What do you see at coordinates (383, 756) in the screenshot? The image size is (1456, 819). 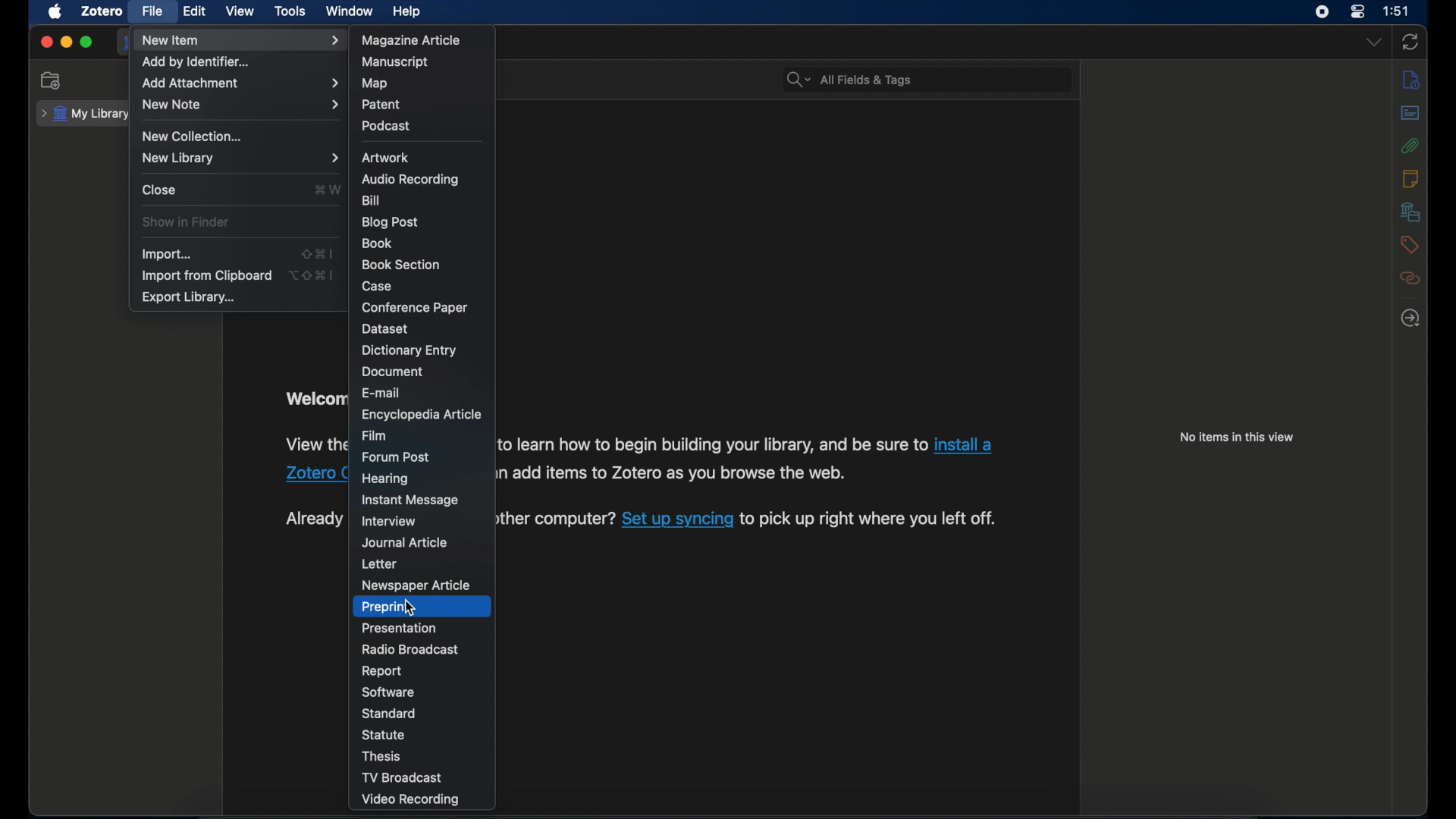 I see `thesis` at bounding box center [383, 756].